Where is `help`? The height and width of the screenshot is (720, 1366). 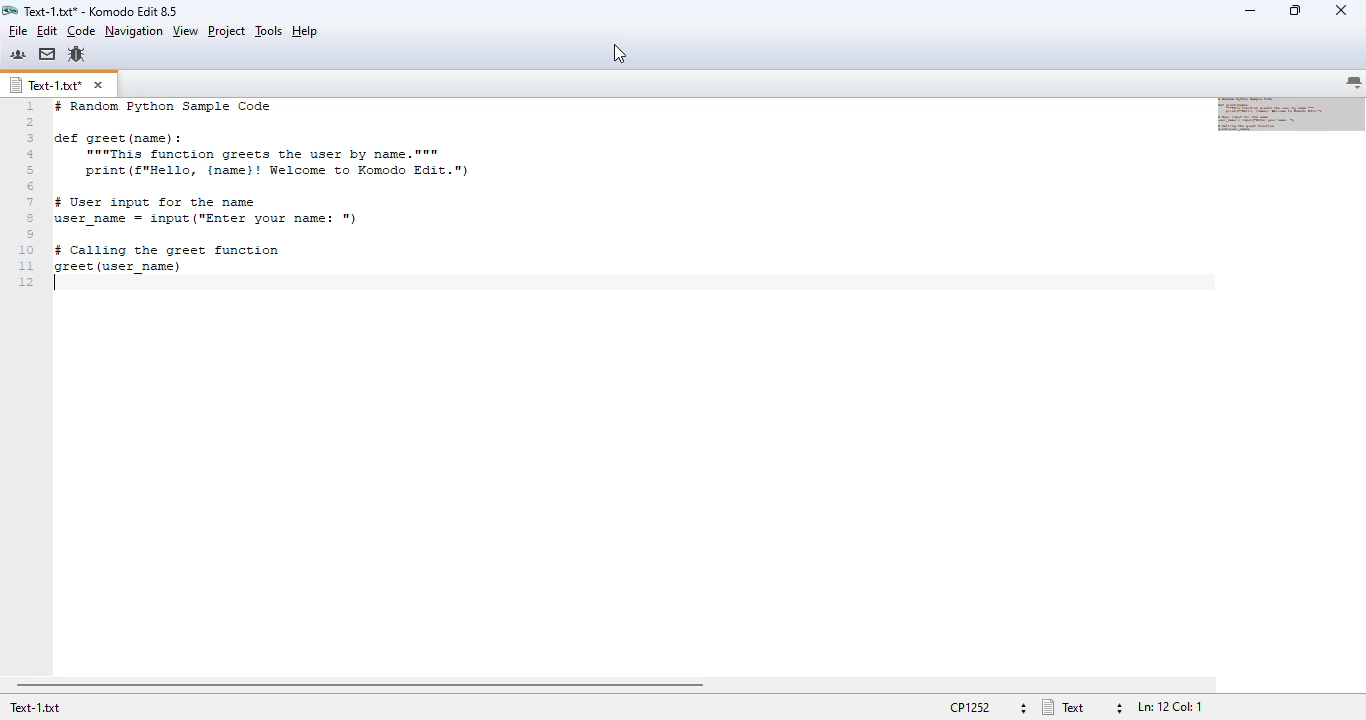 help is located at coordinates (305, 31).